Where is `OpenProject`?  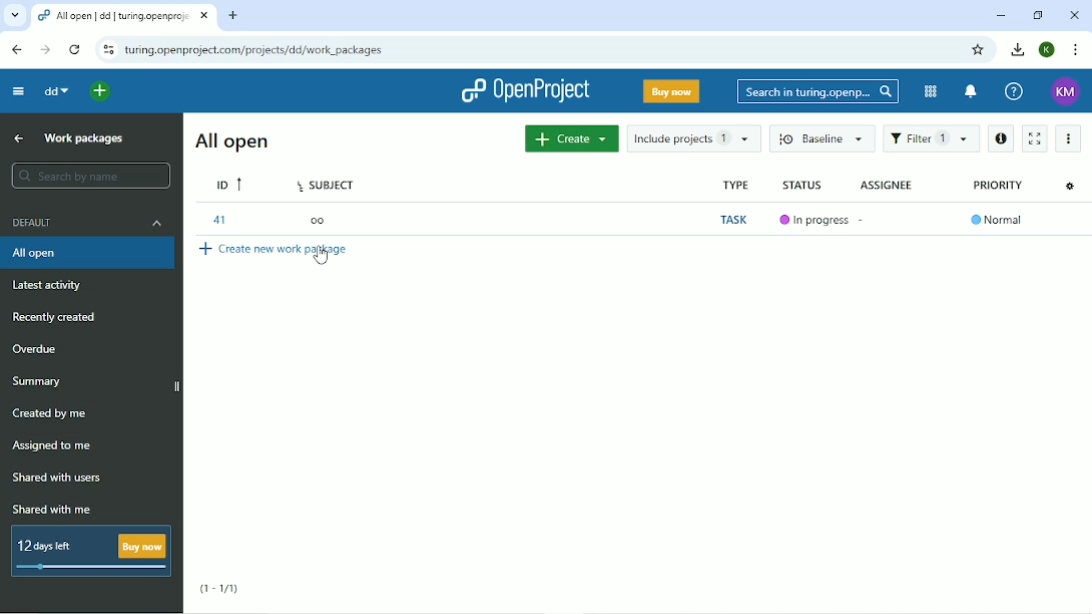 OpenProject is located at coordinates (524, 92).